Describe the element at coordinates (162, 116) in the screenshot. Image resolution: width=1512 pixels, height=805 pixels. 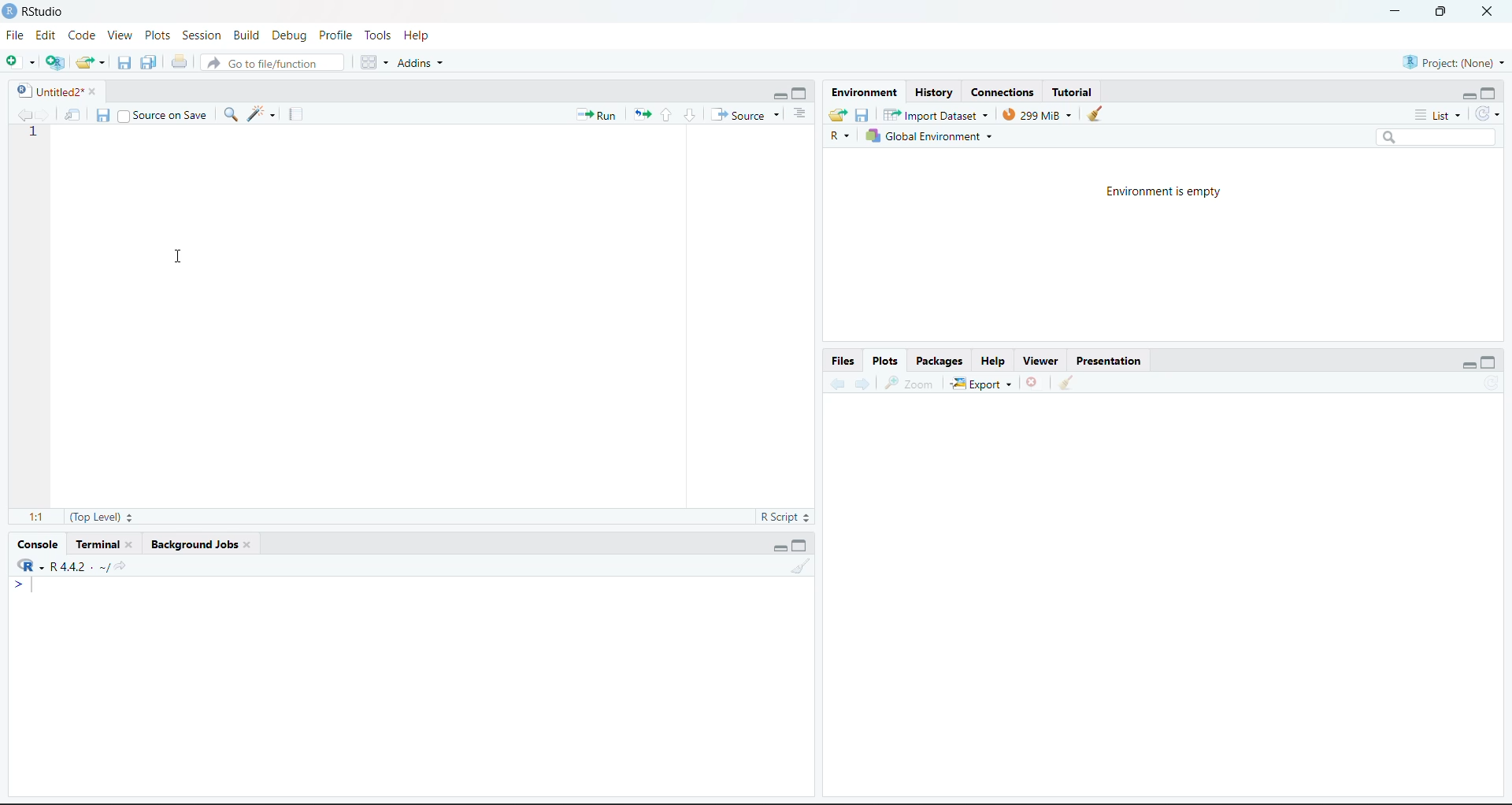
I see `source on save` at that location.